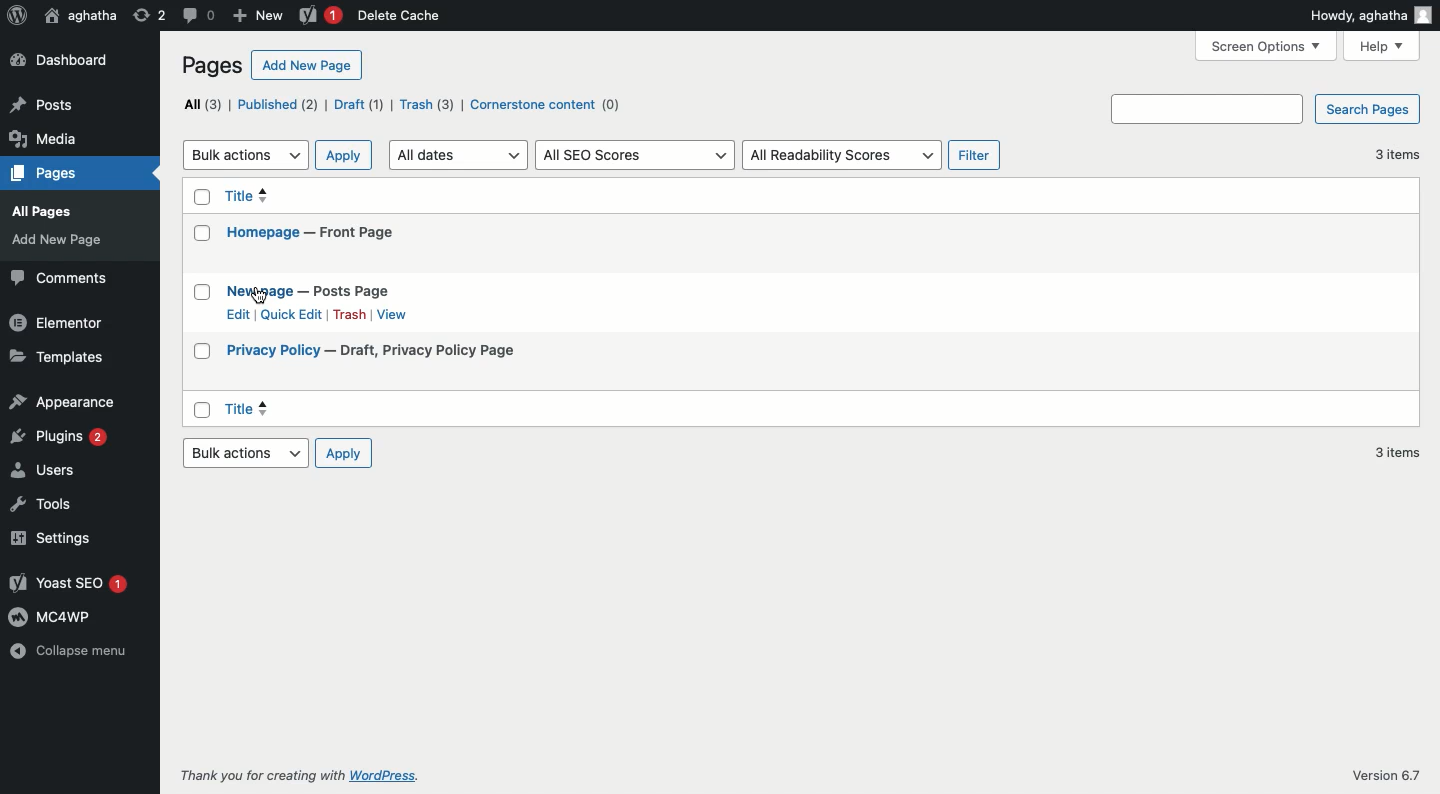  I want to click on checkbox, so click(199, 235).